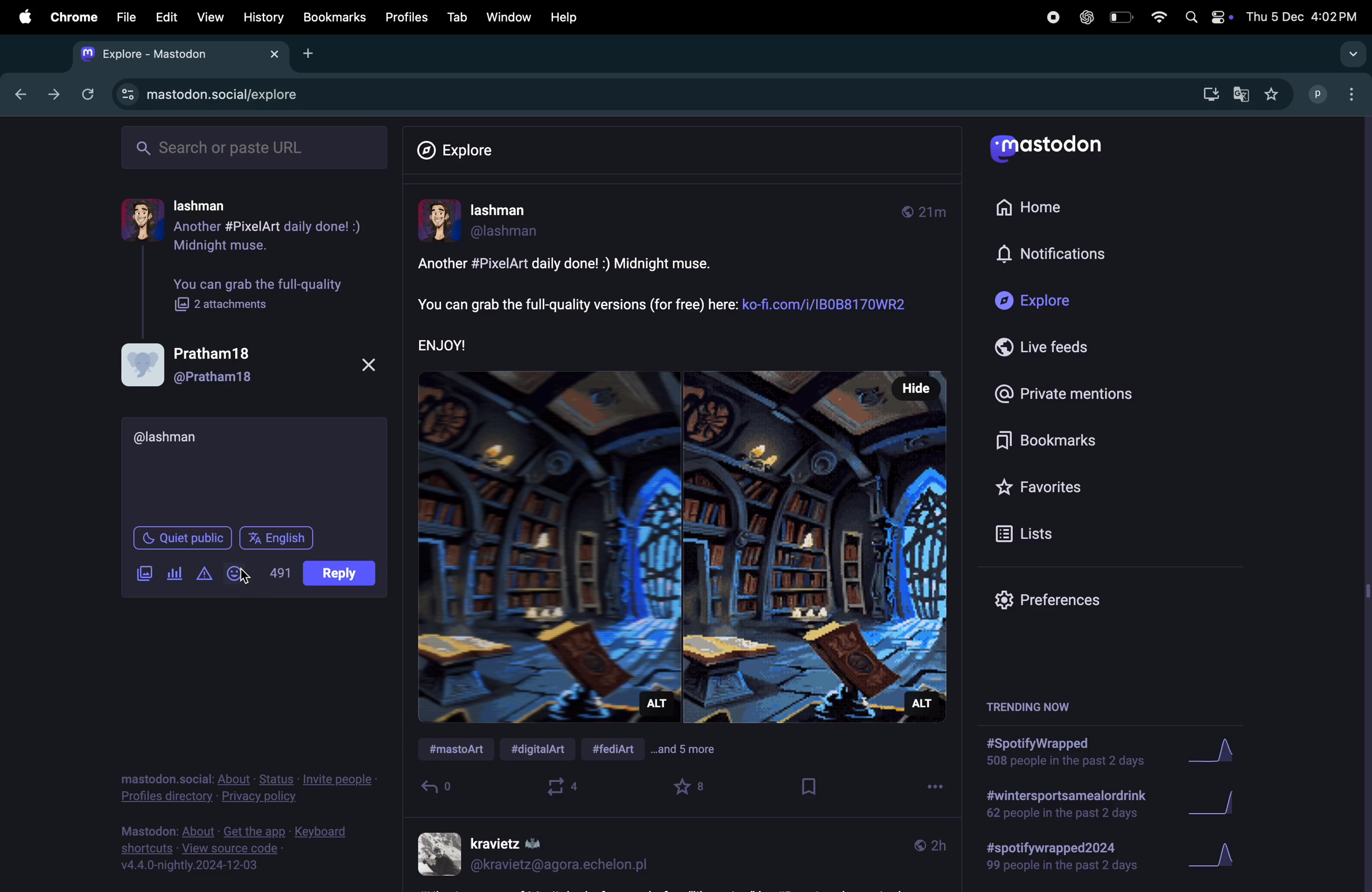  Describe the element at coordinates (247, 368) in the screenshot. I see `user profile` at that location.